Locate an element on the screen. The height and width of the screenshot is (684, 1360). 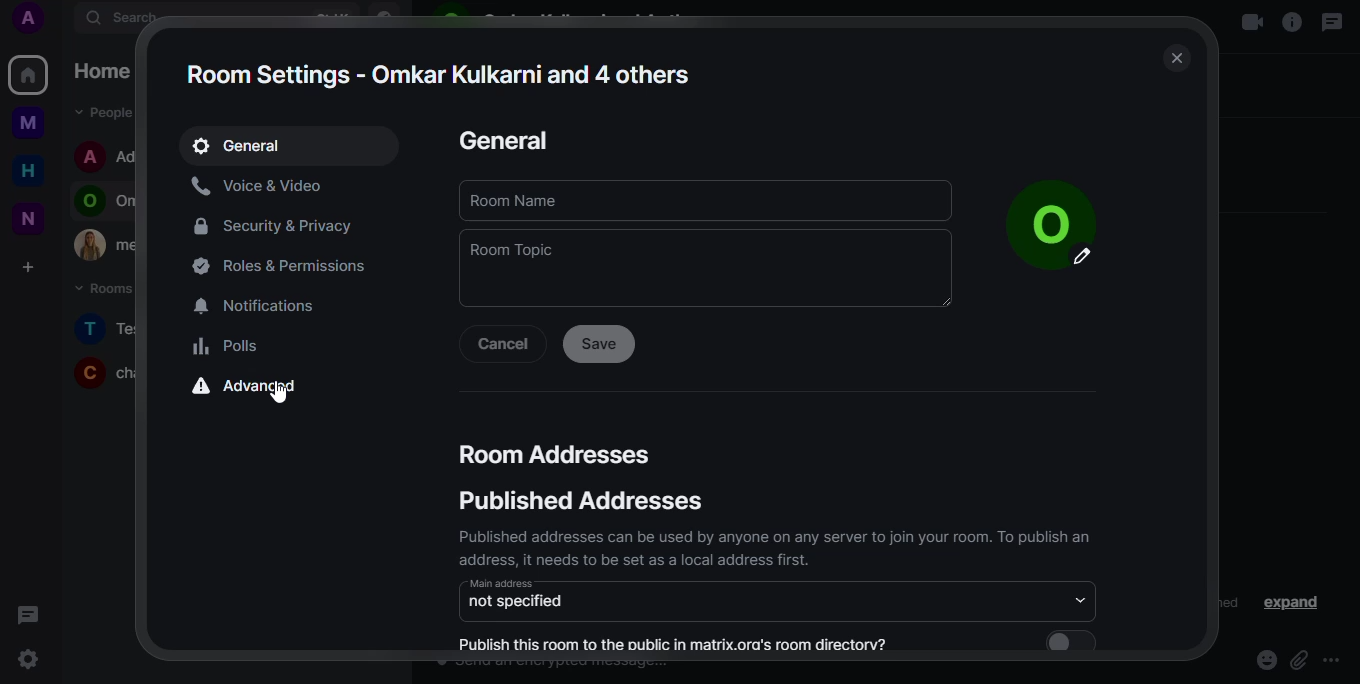
security is located at coordinates (284, 225).